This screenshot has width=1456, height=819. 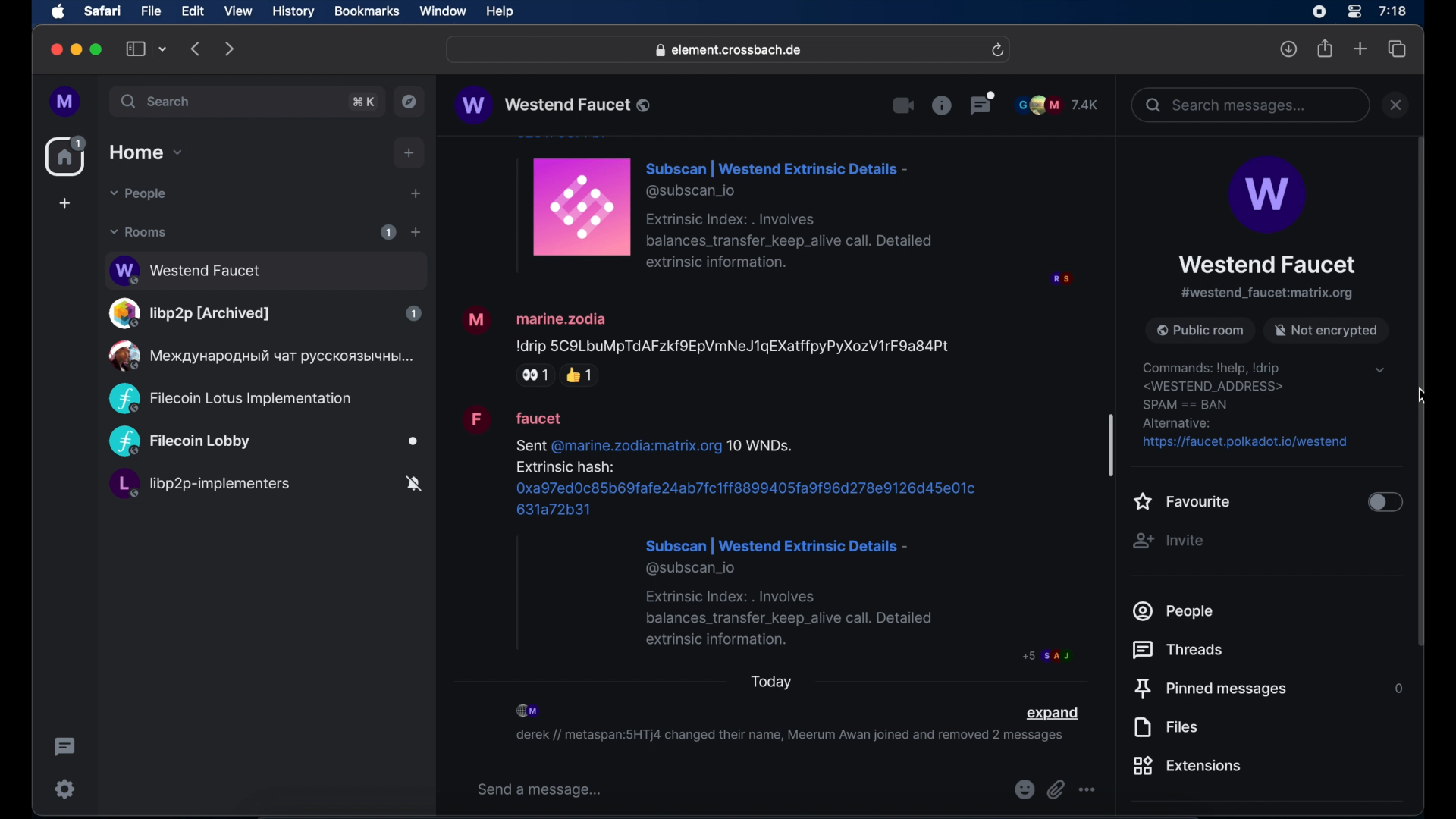 I want to click on bookmarks, so click(x=366, y=11).